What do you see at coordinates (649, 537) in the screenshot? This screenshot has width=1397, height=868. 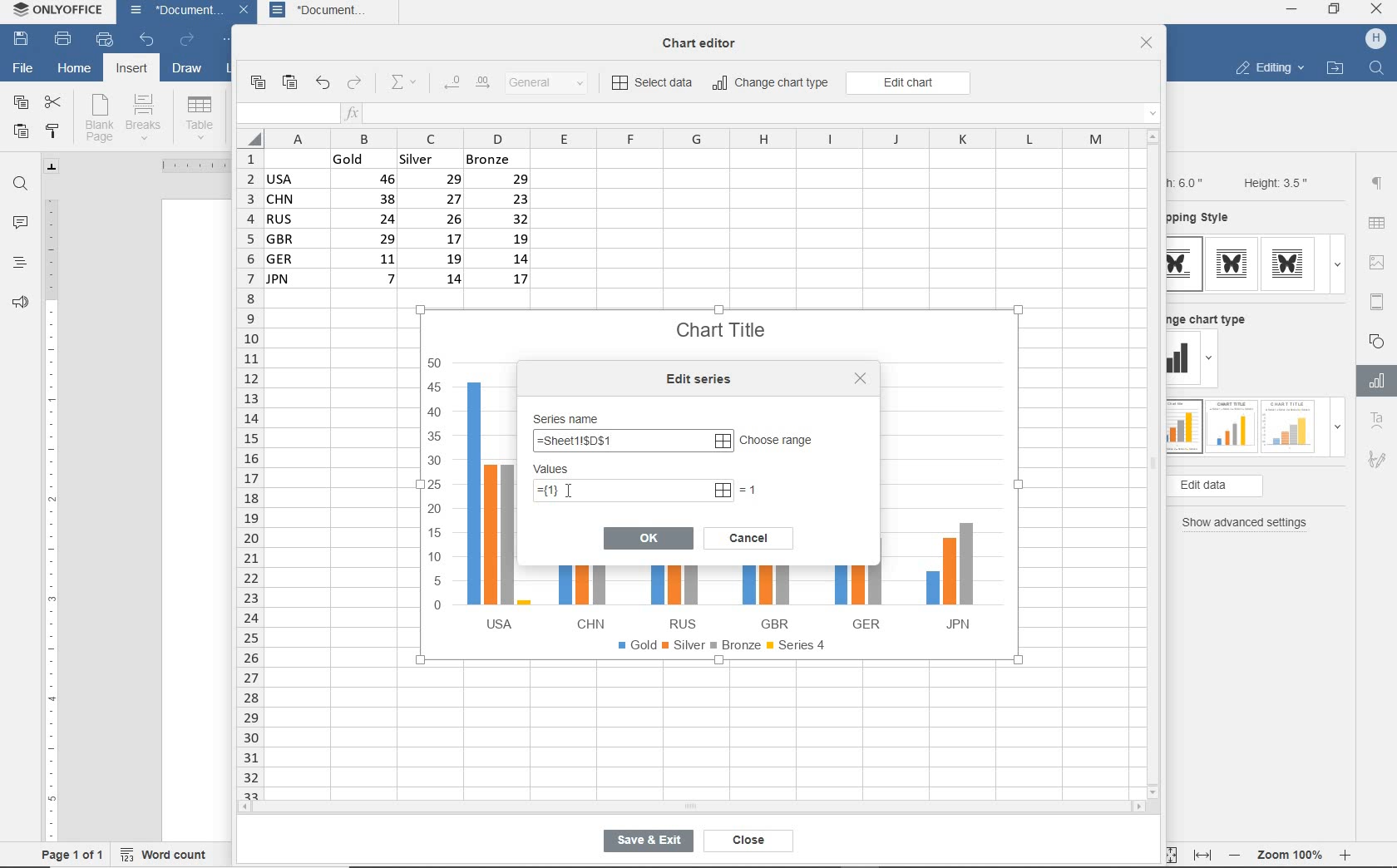 I see `ok` at bounding box center [649, 537].